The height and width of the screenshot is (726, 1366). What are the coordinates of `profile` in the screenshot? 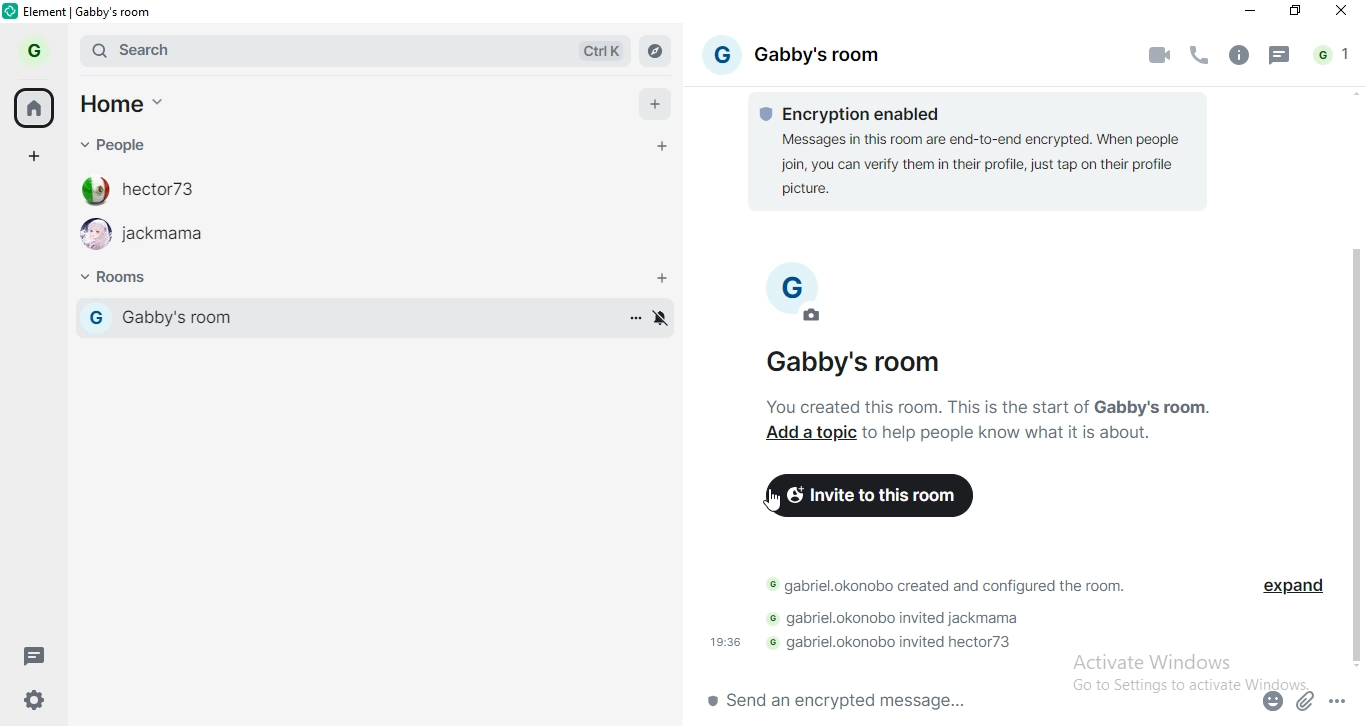 It's located at (94, 236).